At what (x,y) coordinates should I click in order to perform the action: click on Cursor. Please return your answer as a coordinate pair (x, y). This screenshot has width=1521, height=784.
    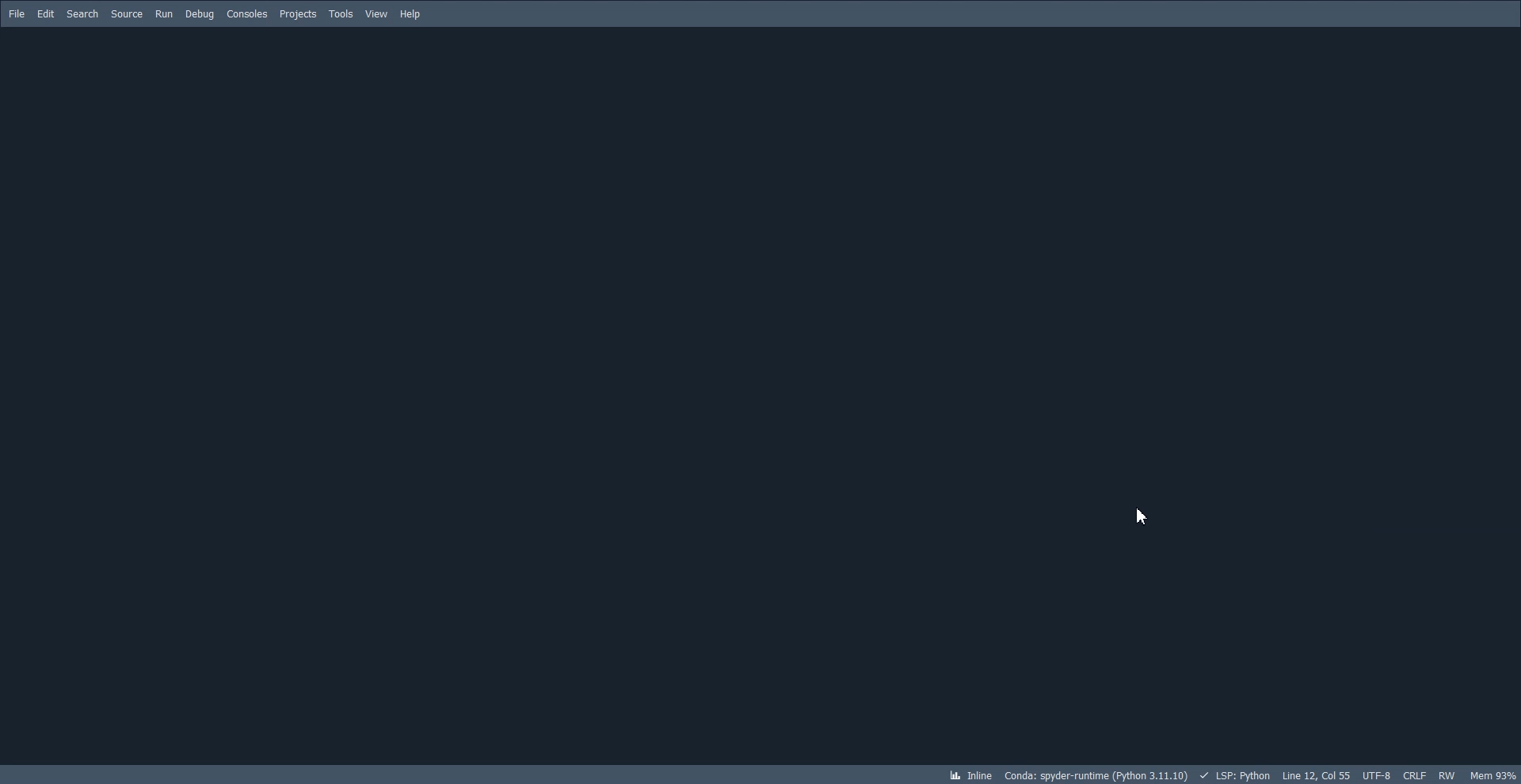
    Looking at the image, I should click on (1144, 516).